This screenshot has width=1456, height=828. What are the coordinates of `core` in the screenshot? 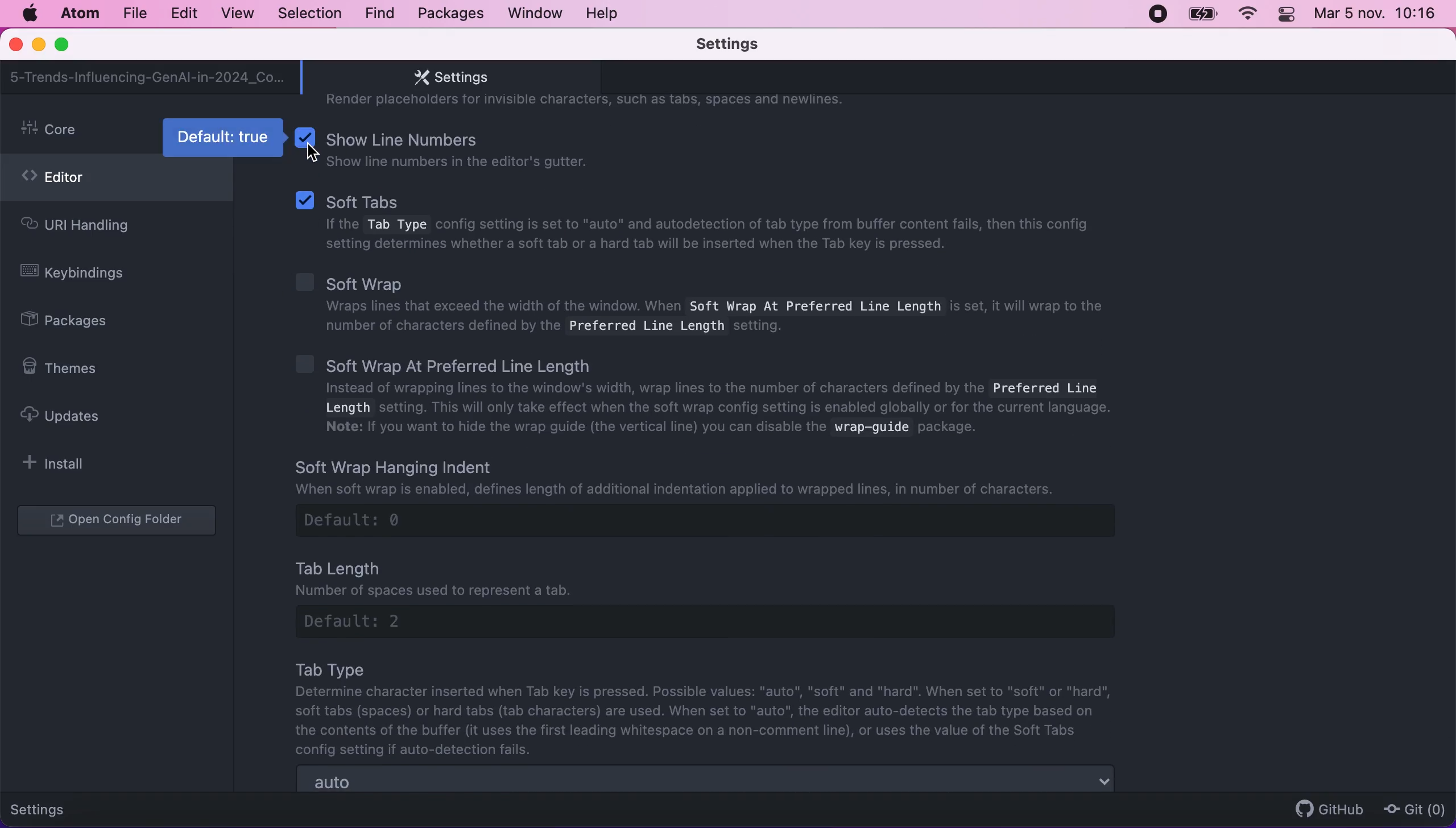 It's located at (76, 133).